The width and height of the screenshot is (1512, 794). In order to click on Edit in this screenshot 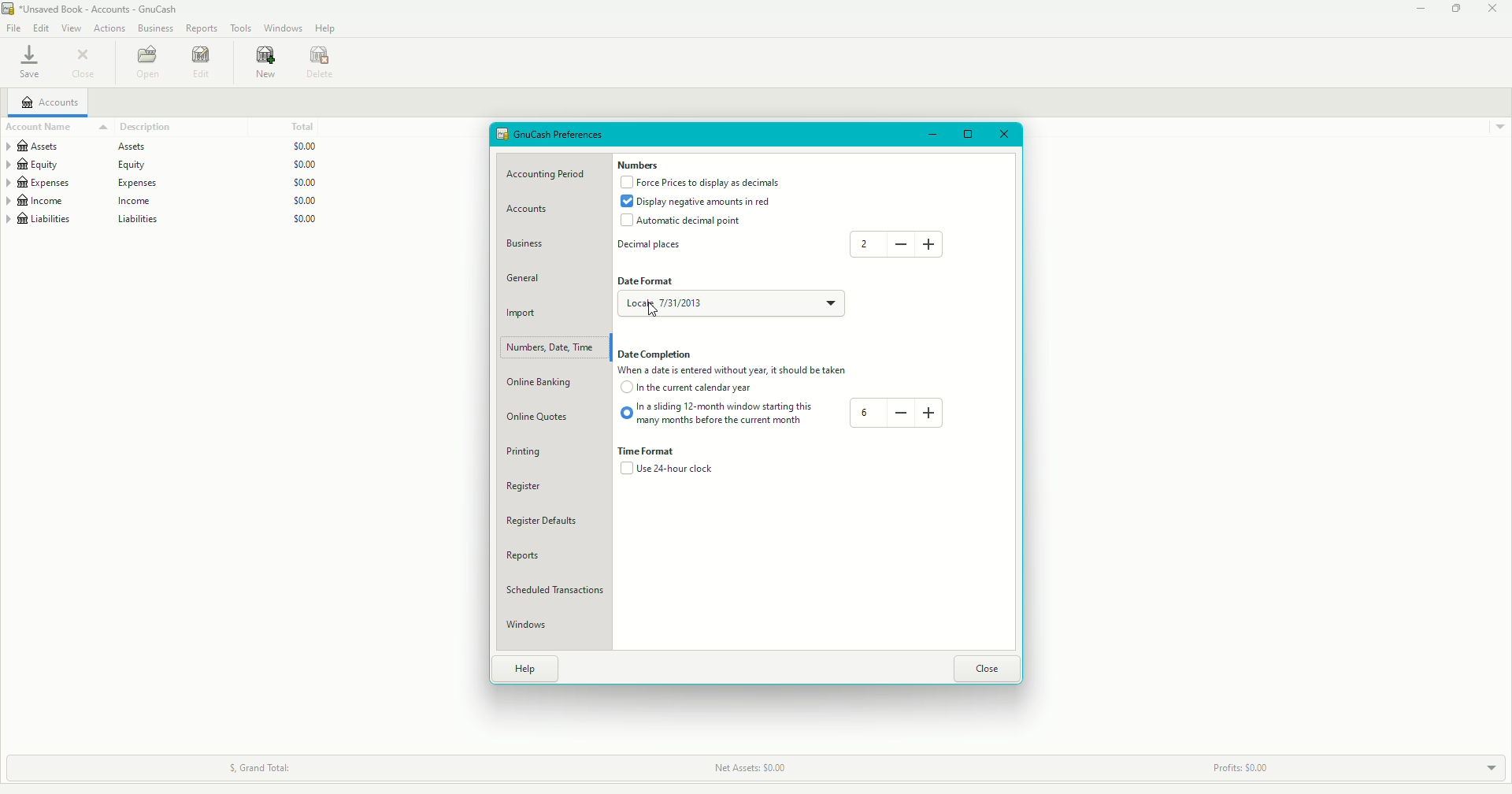, I will do `click(43, 28)`.